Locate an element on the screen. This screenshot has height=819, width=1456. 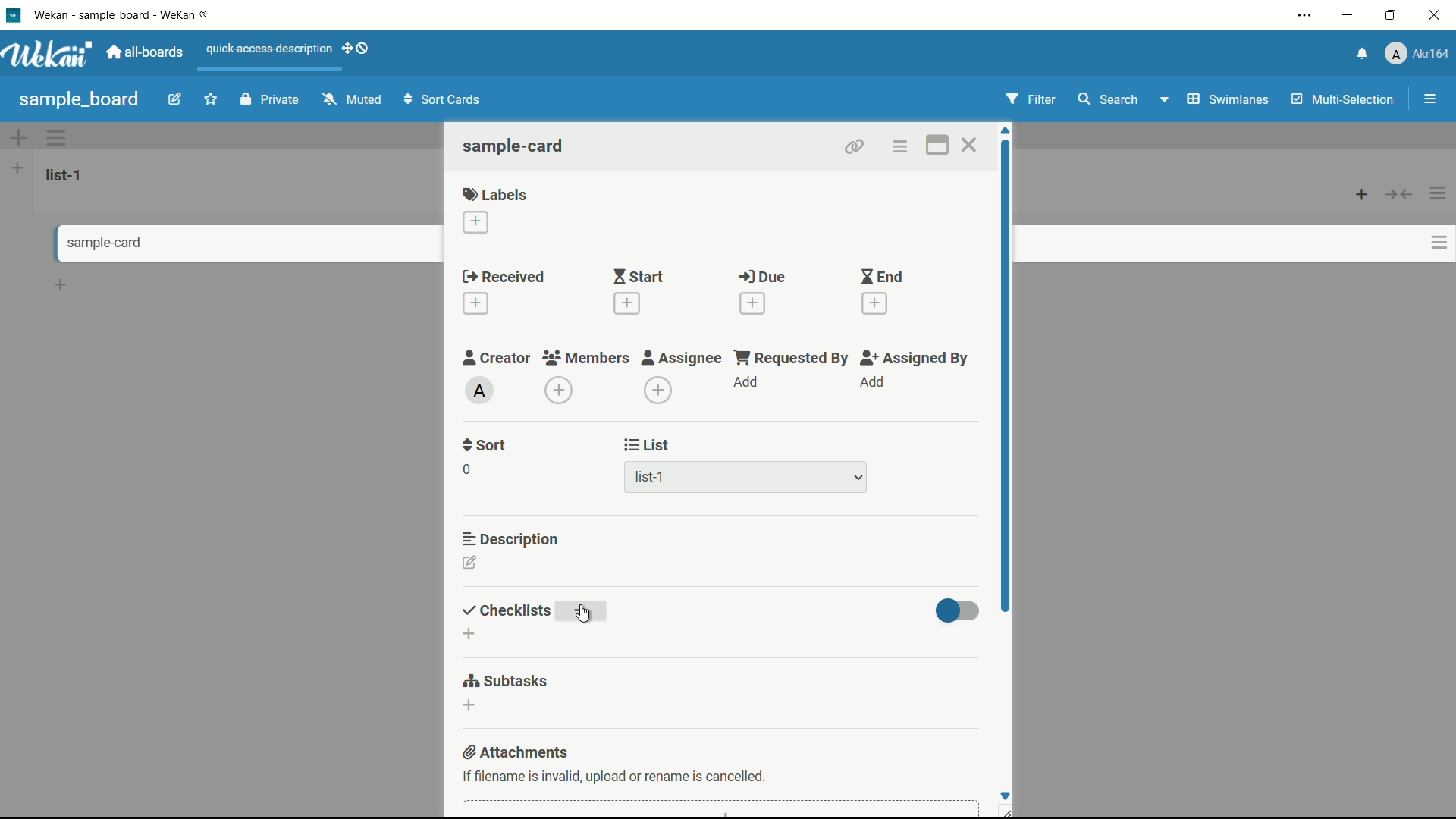
close app is located at coordinates (1438, 15).